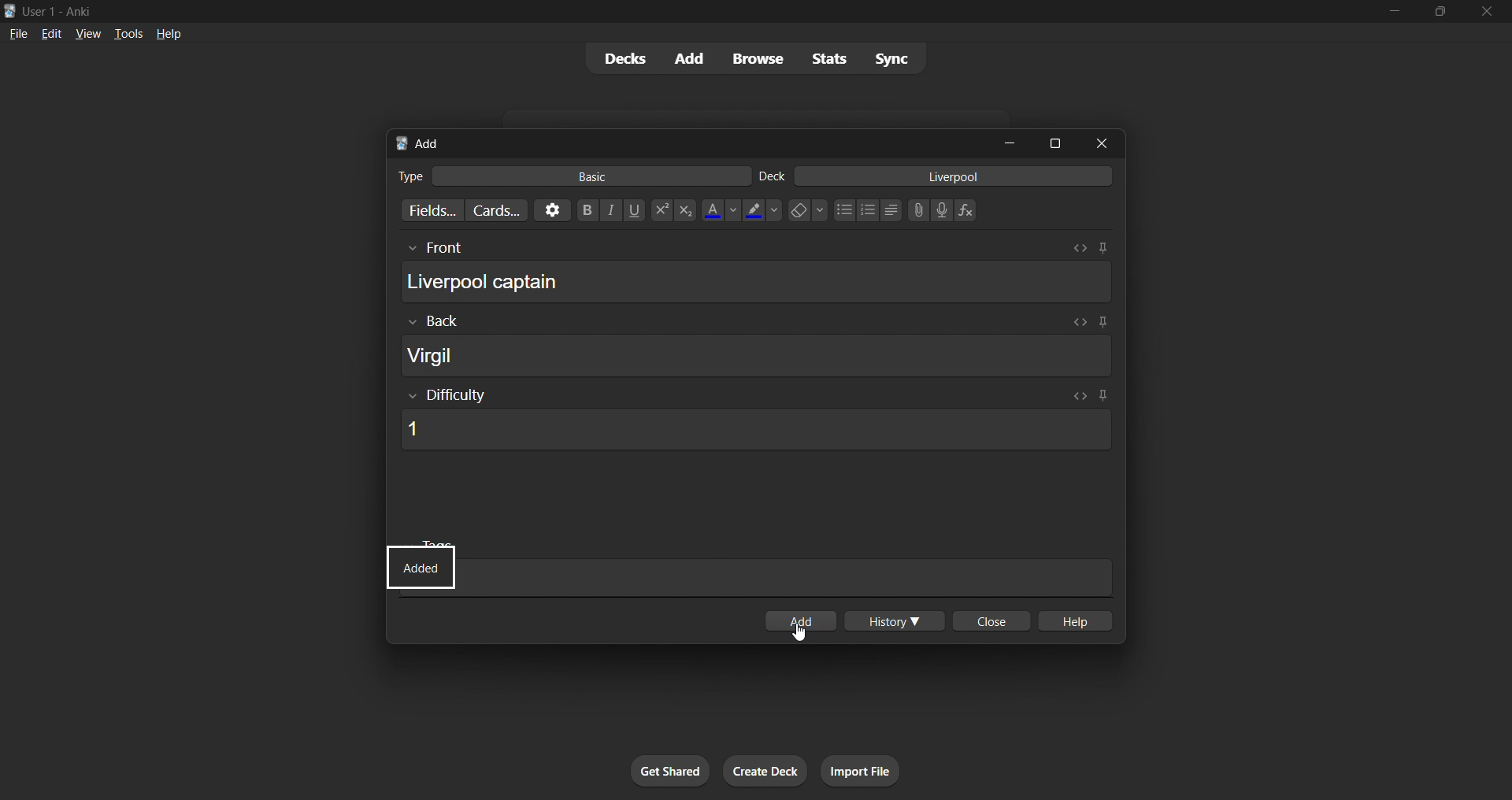 This screenshot has height=800, width=1512. I want to click on Toggle HTML editor, so click(1078, 322).